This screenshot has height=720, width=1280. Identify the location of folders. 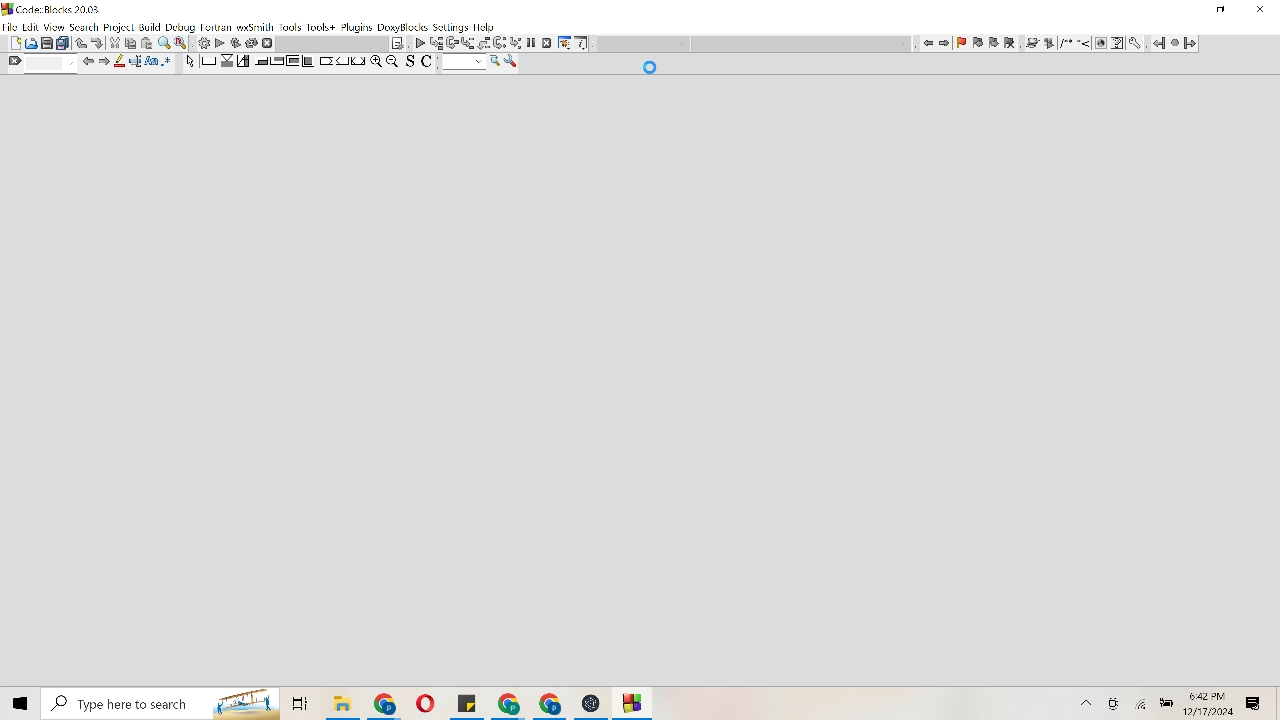
(299, 704).